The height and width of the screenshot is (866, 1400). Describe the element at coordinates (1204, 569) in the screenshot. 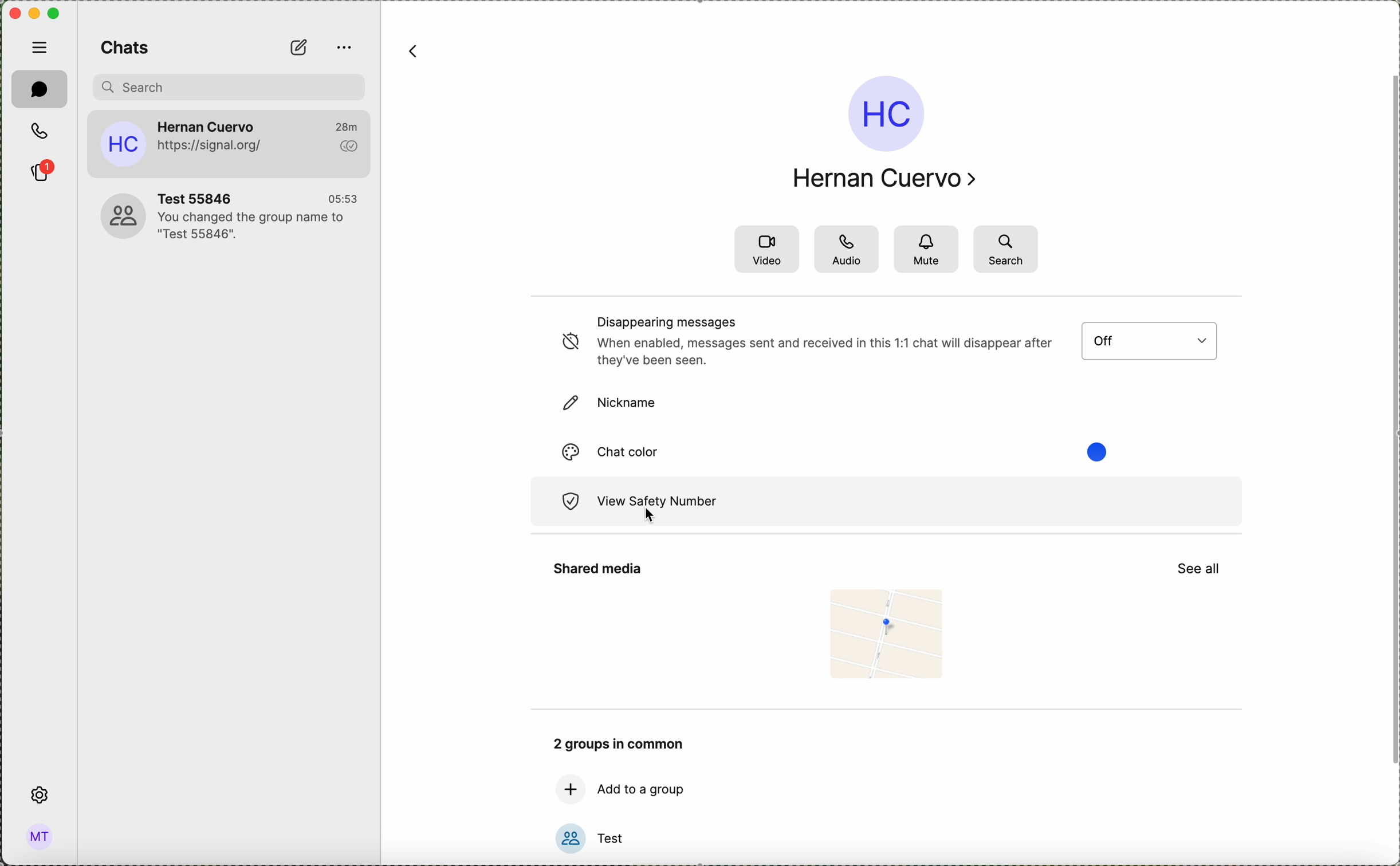

I see `See all` at that location.